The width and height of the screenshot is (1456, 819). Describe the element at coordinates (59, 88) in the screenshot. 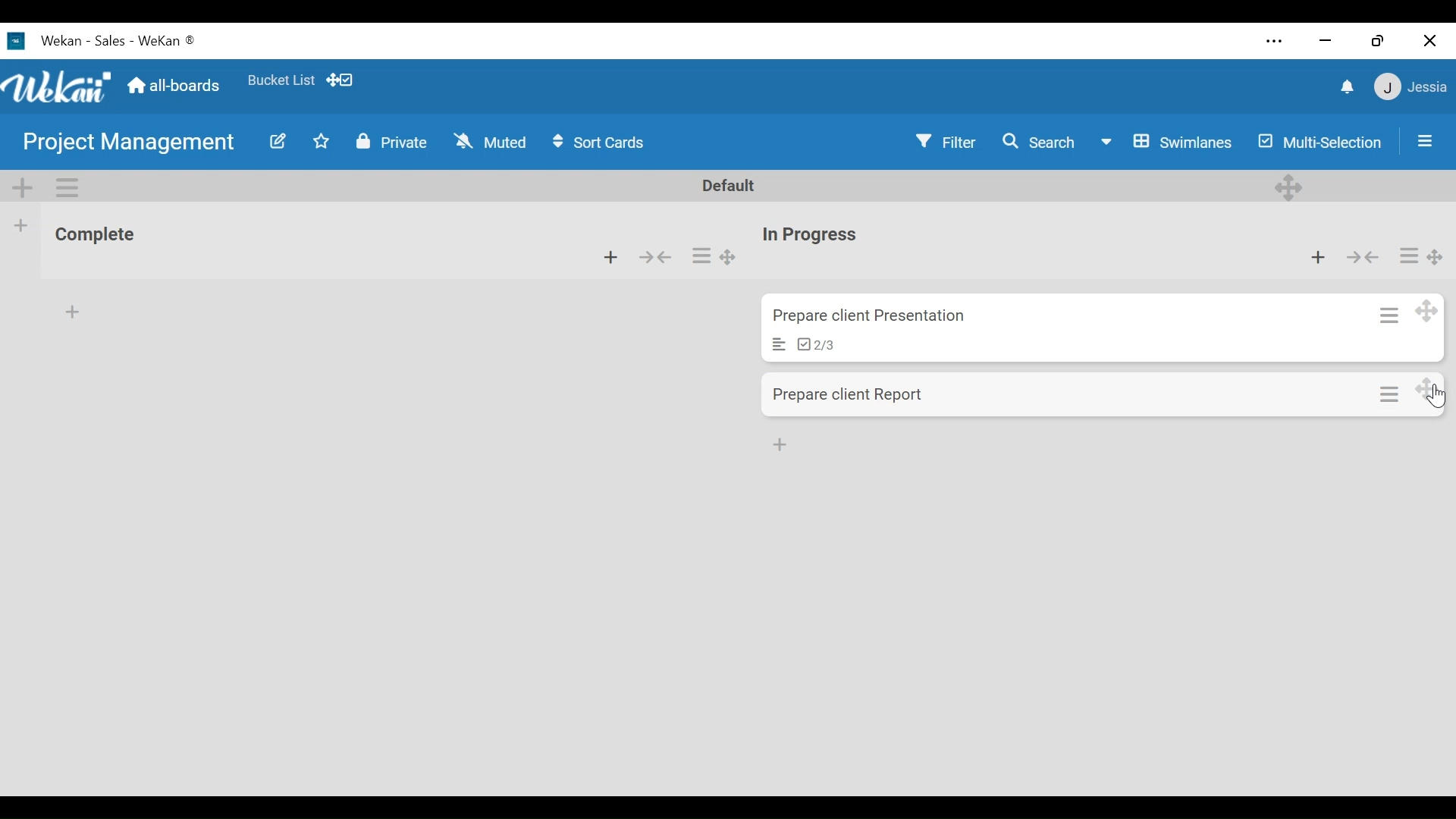

I see `Wekan logo` at that location.